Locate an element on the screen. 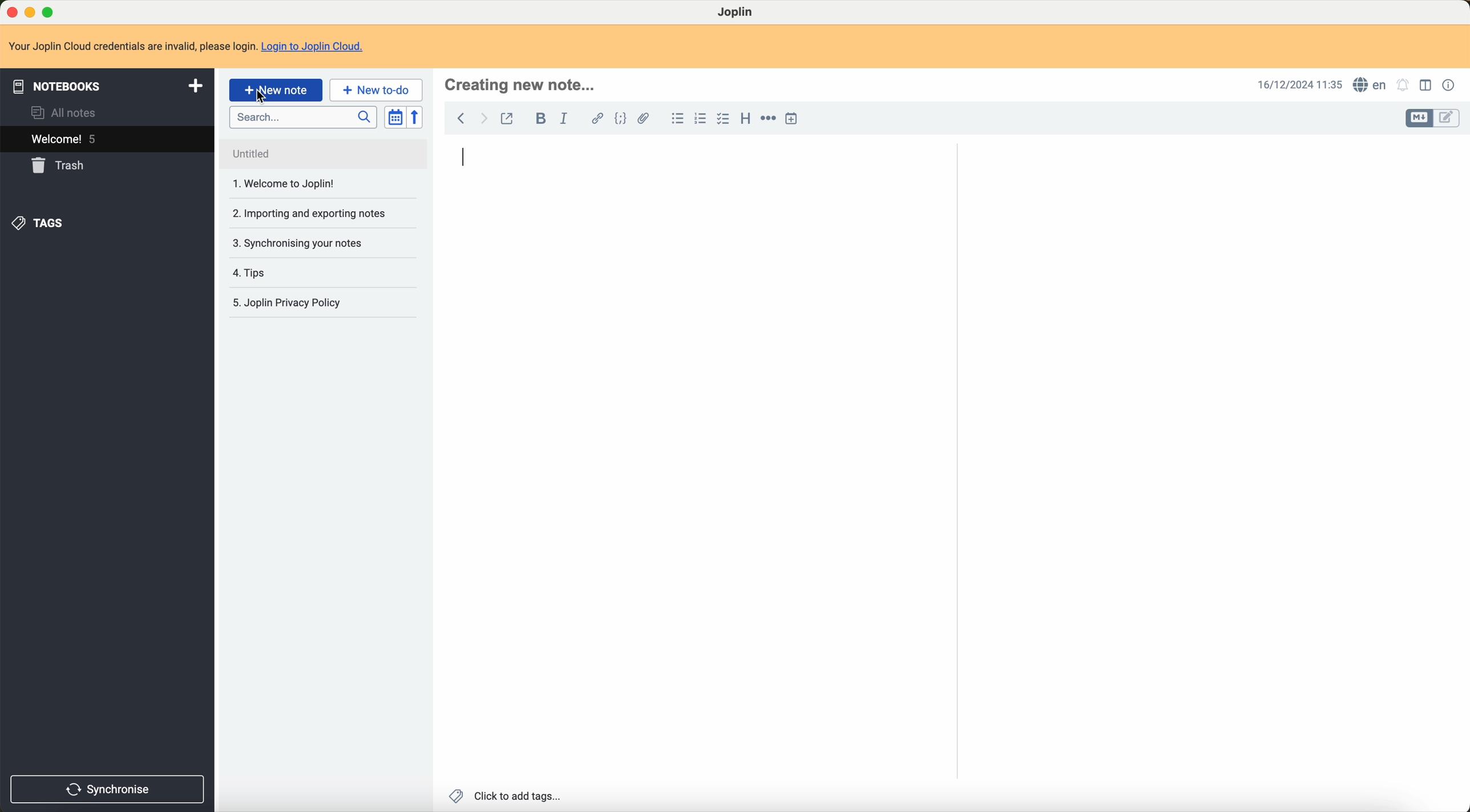  untitled is located at coordinates (277, 155).